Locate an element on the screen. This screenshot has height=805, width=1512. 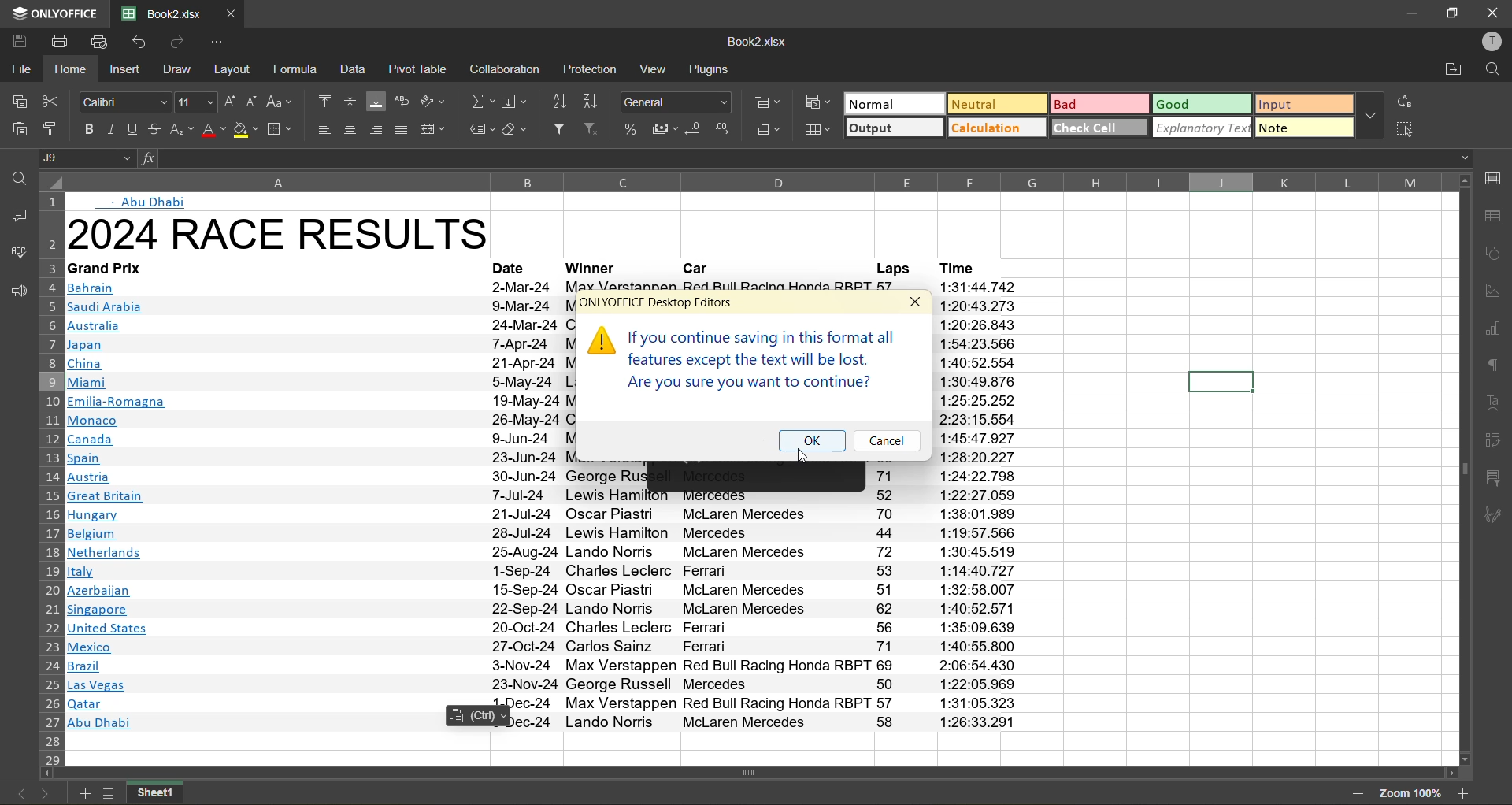
align middle is located at coordinates (349, 100).